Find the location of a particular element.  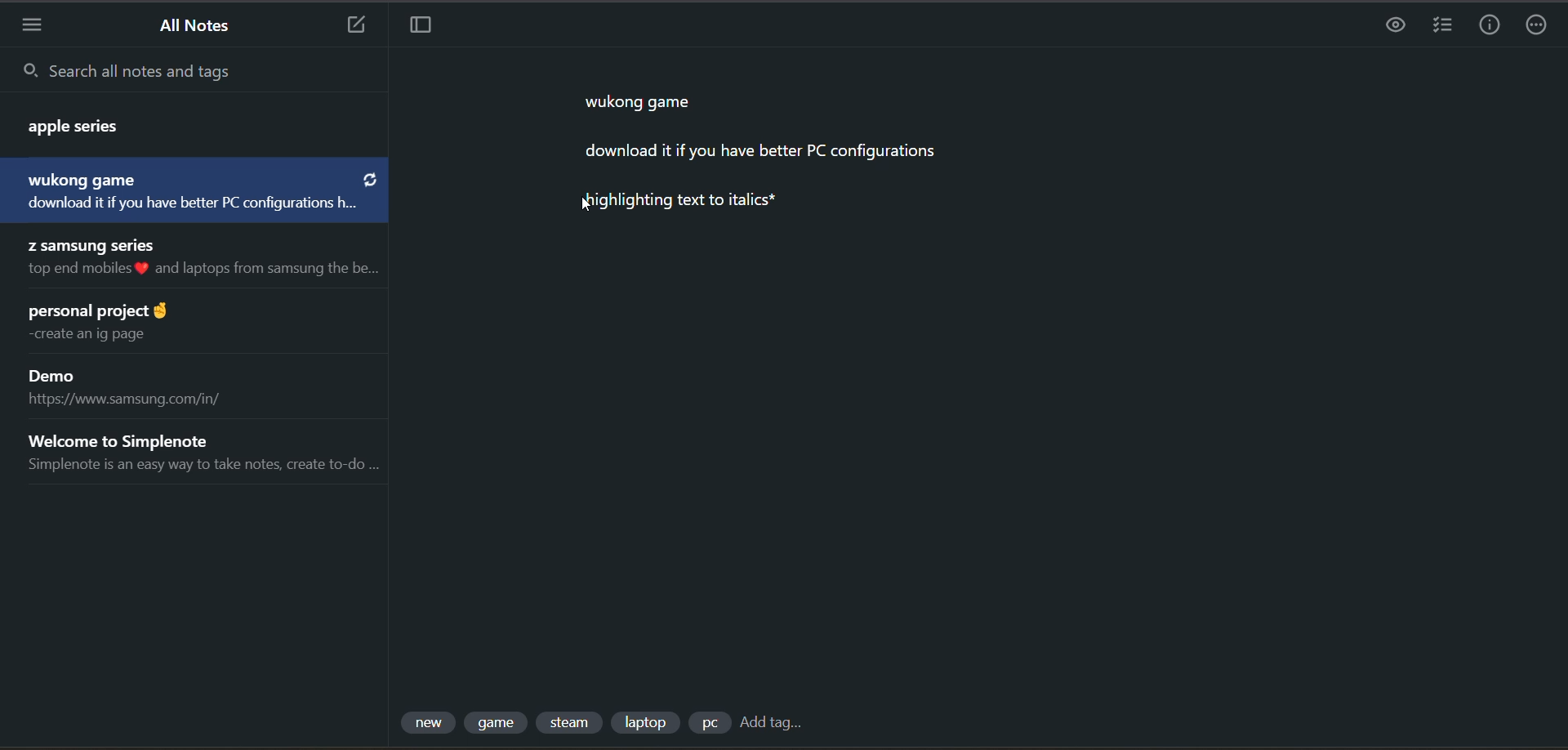

tag 4 is located at coordinates (644, 721).